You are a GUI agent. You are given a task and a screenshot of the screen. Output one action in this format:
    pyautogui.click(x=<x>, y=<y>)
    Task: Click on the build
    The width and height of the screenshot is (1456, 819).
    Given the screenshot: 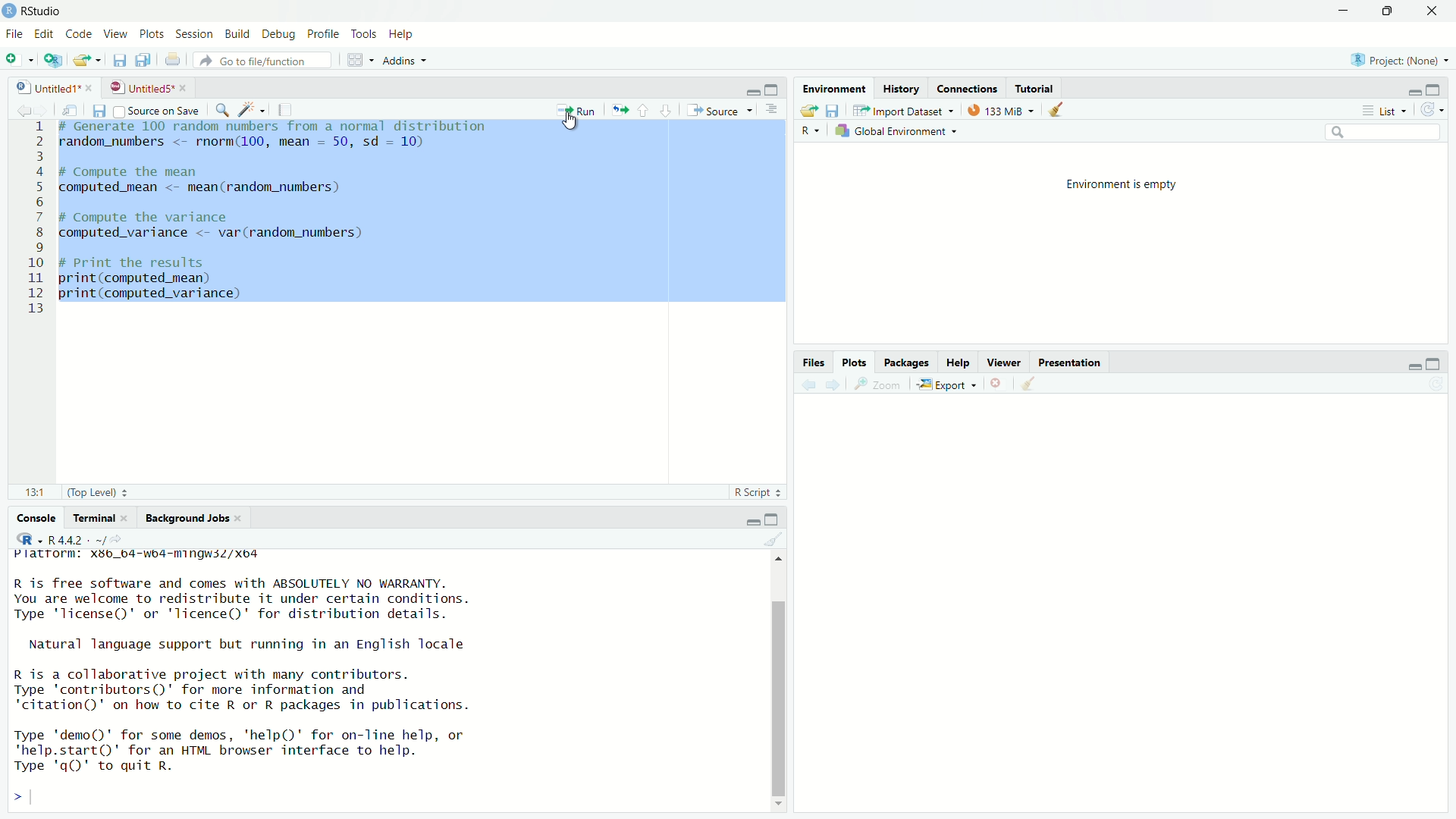 What is the action you would take?
    pyautogui.click(x=238, y=34)
    